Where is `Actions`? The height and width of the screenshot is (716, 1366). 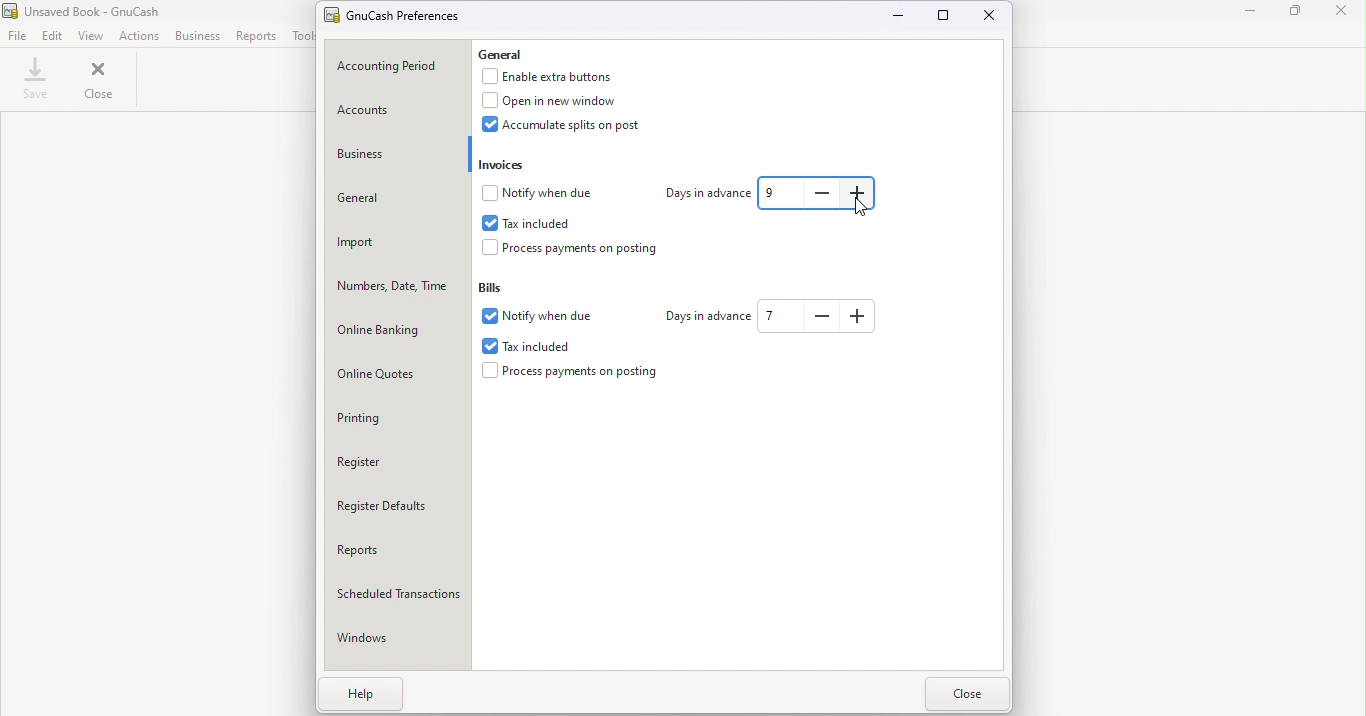 Actions is located at coordinates (139, 35).